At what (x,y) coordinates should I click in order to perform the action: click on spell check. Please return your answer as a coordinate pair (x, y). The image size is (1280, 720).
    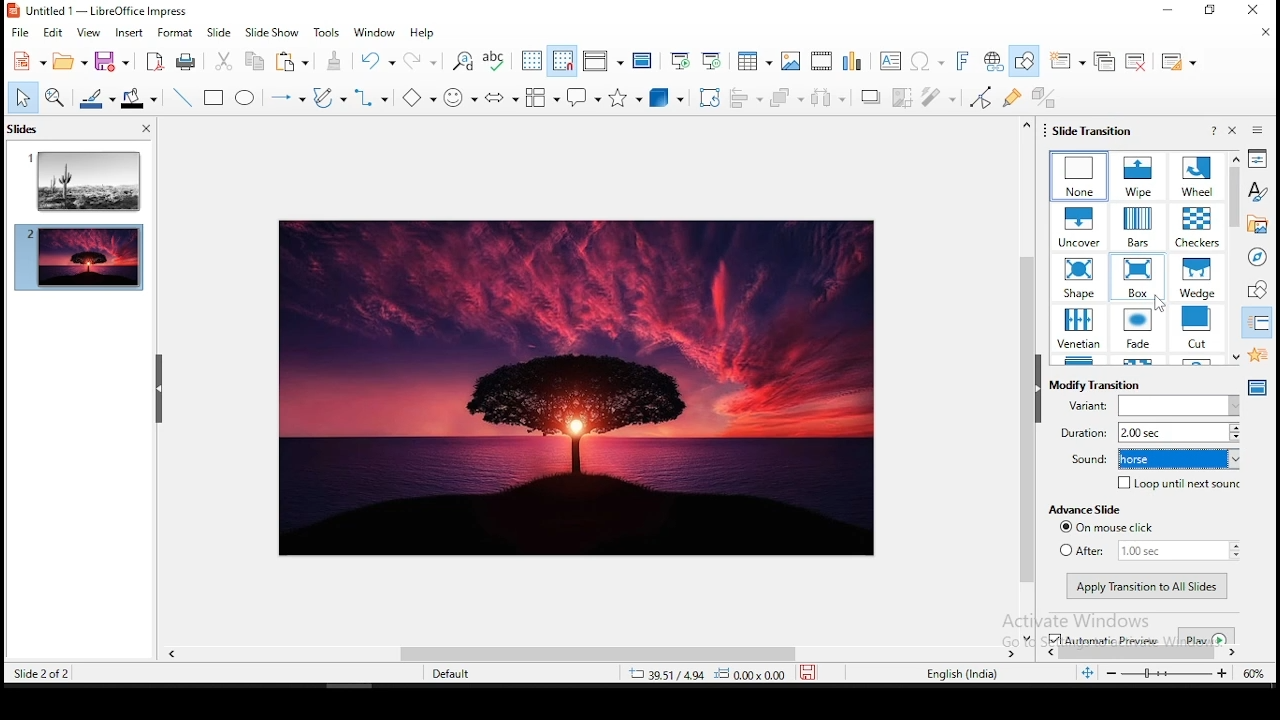
    Looking at the image, I should click on (498, 62).